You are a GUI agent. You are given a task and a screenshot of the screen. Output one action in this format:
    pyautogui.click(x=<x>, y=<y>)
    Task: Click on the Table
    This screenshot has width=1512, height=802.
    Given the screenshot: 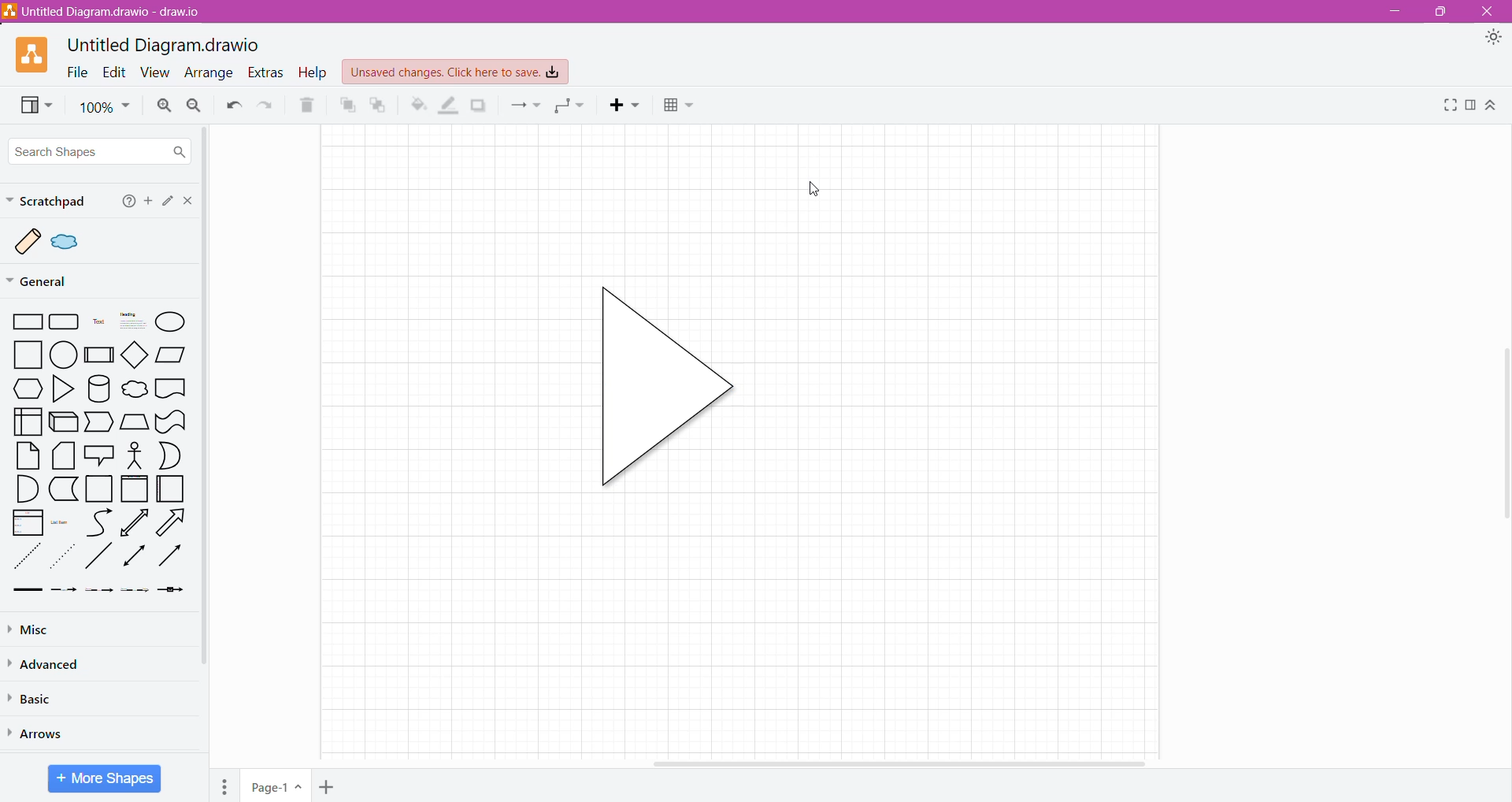 What is the action you would take?
    pyautogui.click(x=680, y=106)
    